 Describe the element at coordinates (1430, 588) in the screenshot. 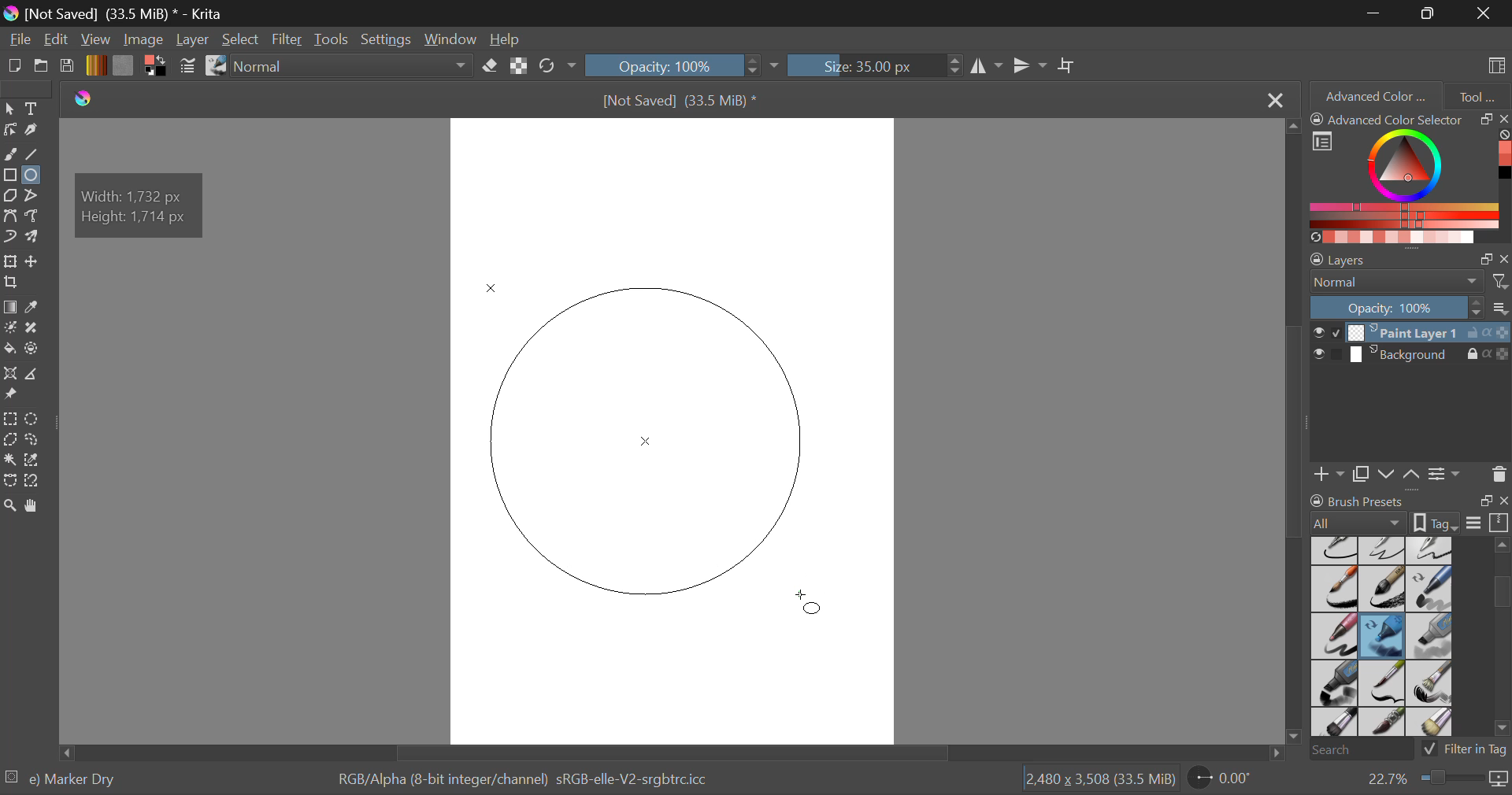

I see `Marker Chisel Smooth` at that location.